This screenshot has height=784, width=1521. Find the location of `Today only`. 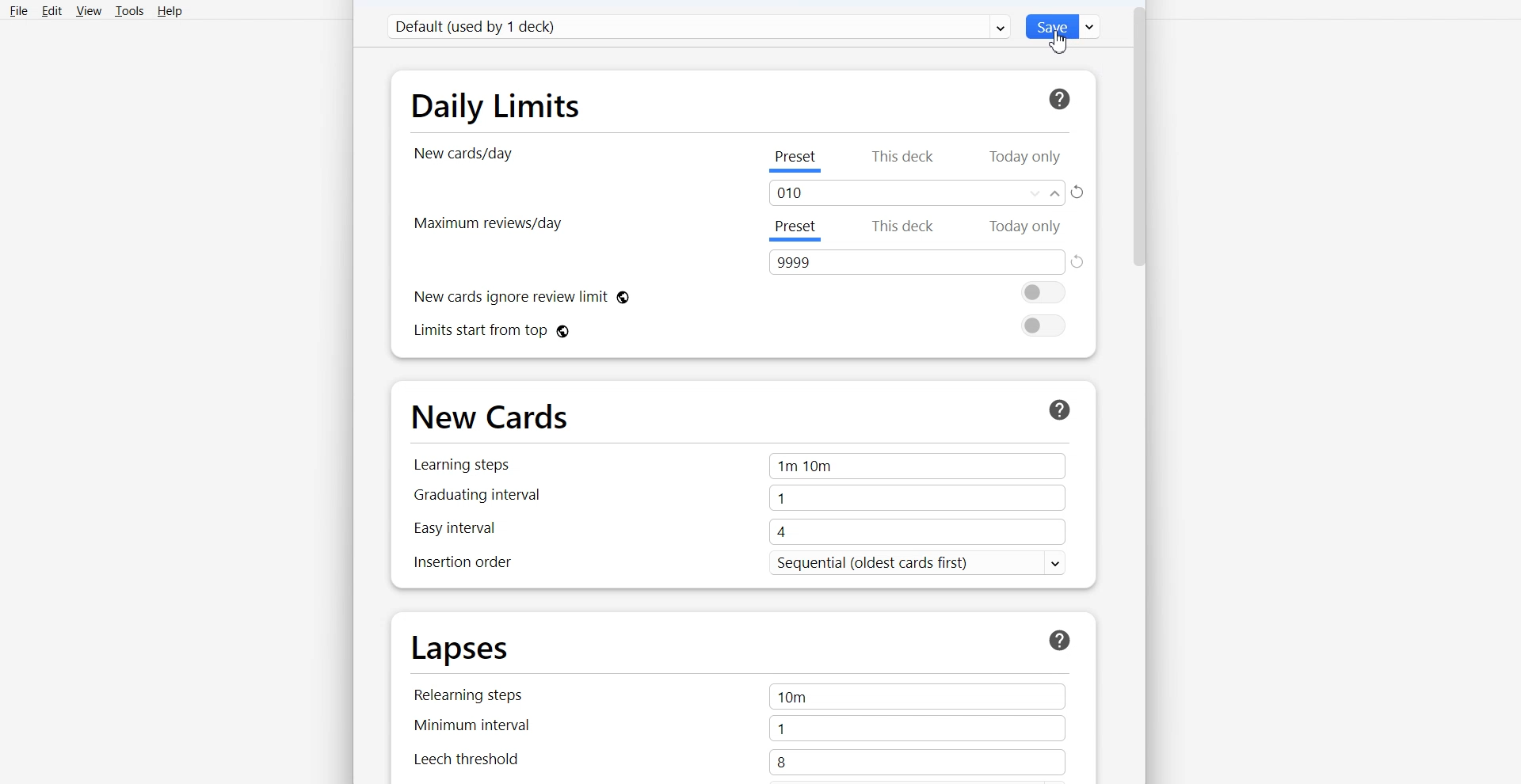

Today only is located at coordinates (1027, 226).